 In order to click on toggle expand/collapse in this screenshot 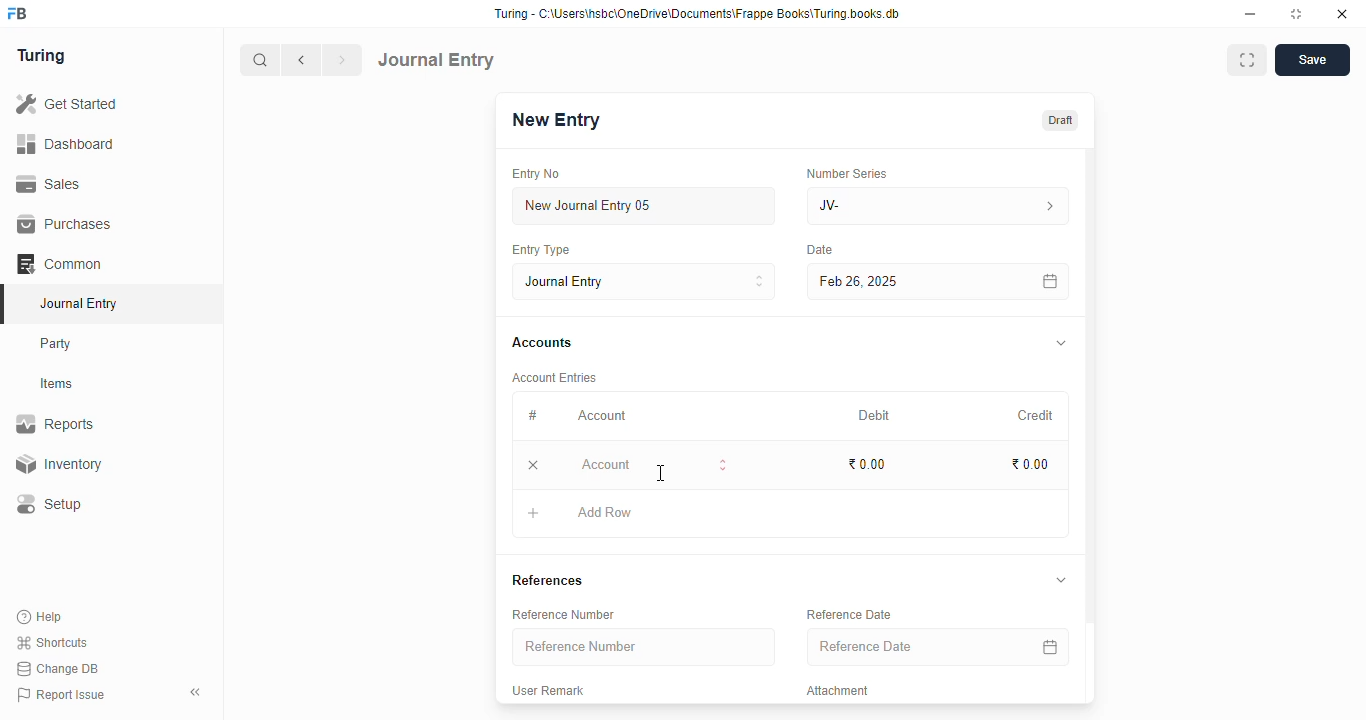, I will do `click(1061, 580)`.